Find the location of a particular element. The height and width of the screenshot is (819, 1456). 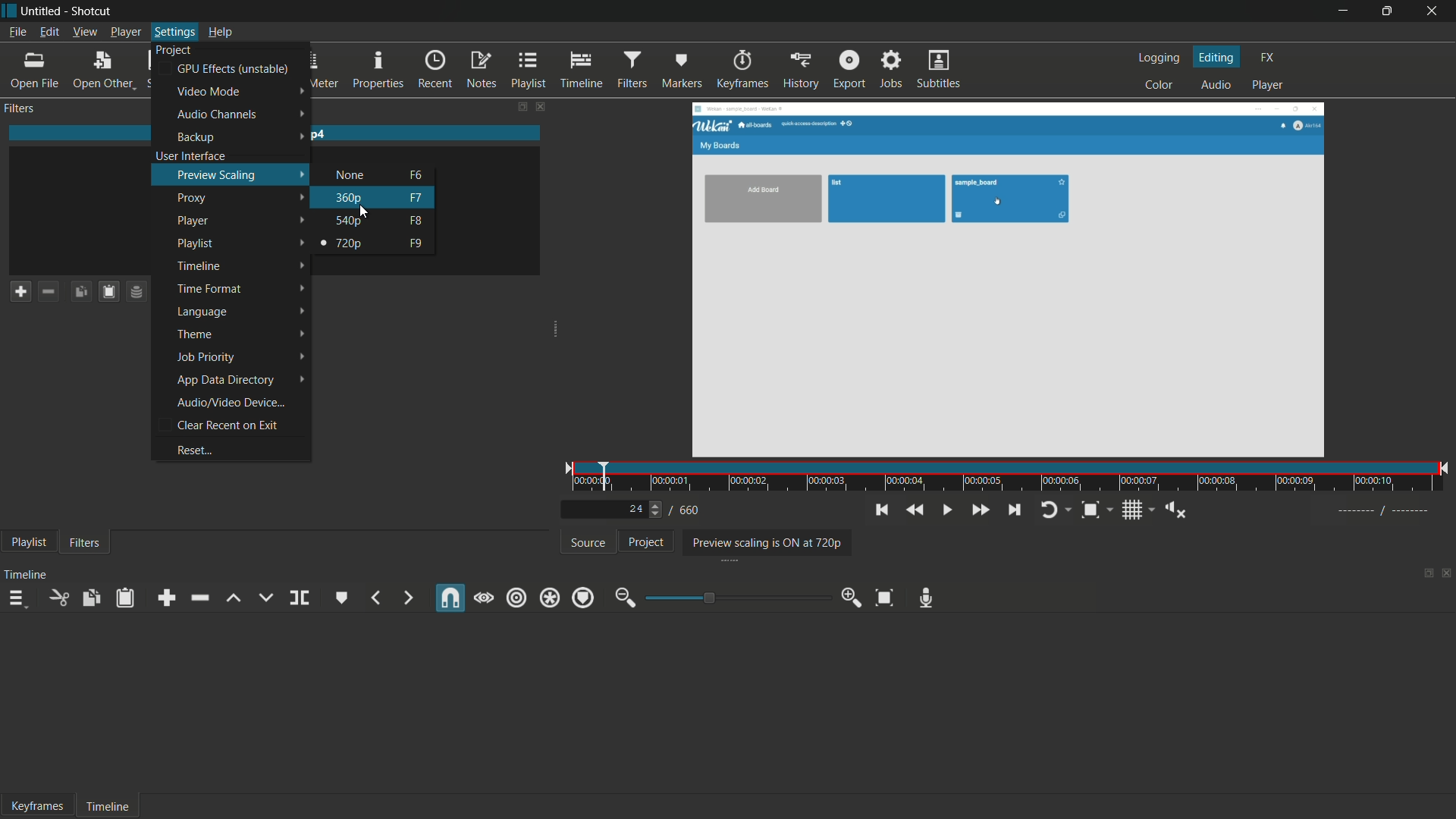

notes is located at coordinates (481, 69).